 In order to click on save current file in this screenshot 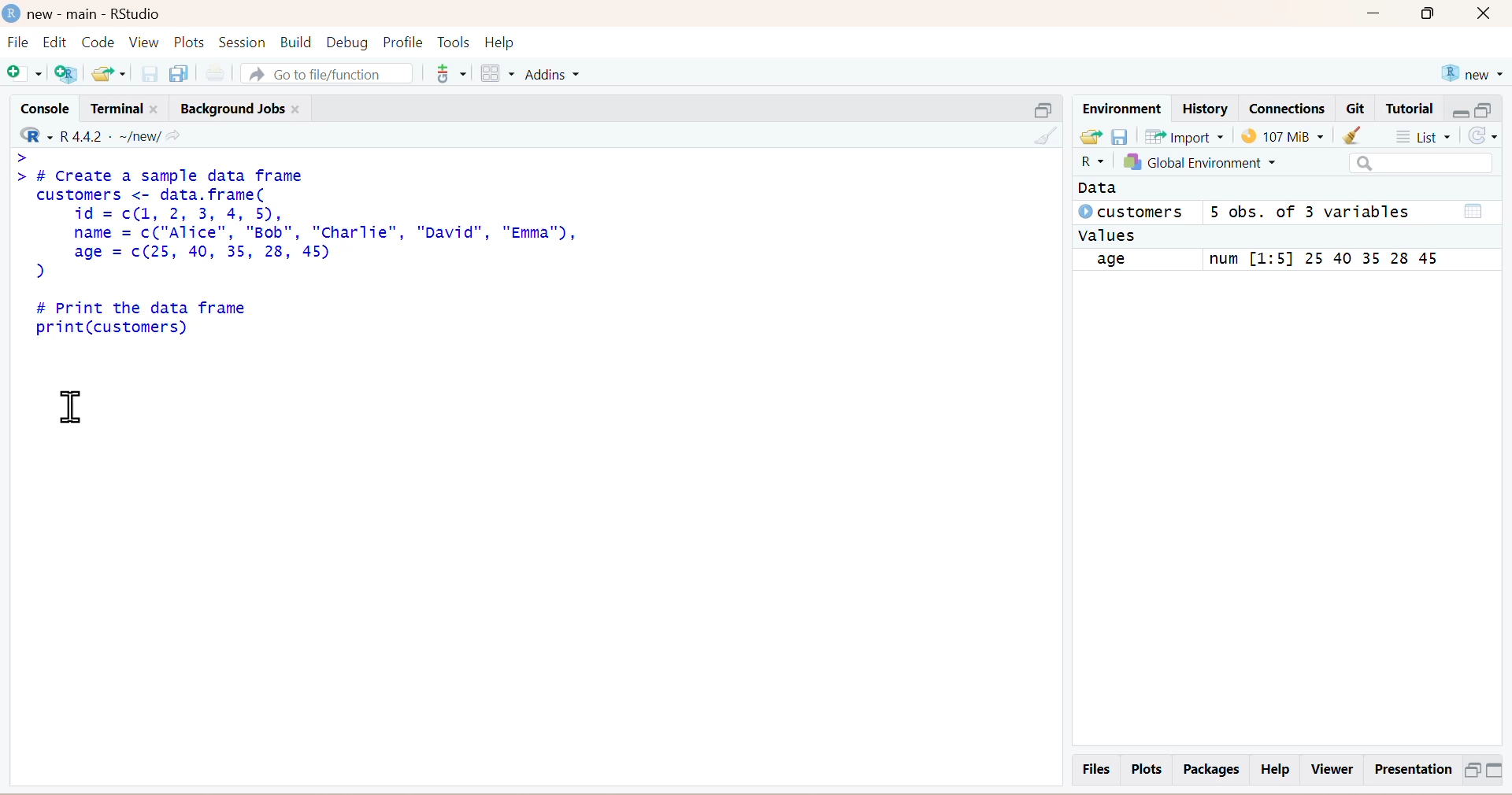, I will do `click(150, 72)`.